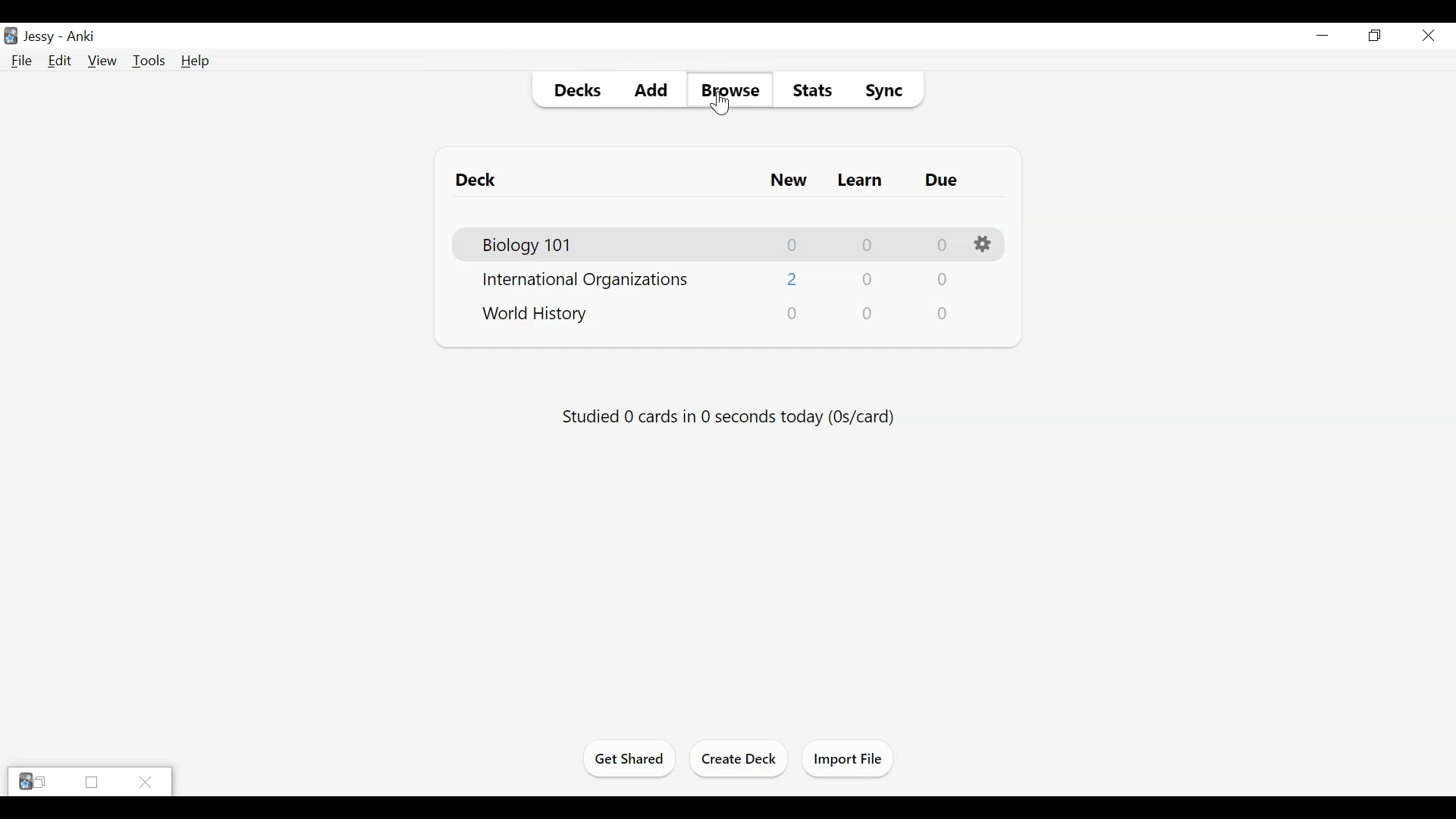 The width and height of the screenshot is (1456, 819). I want to click on View, so click(102, 61).